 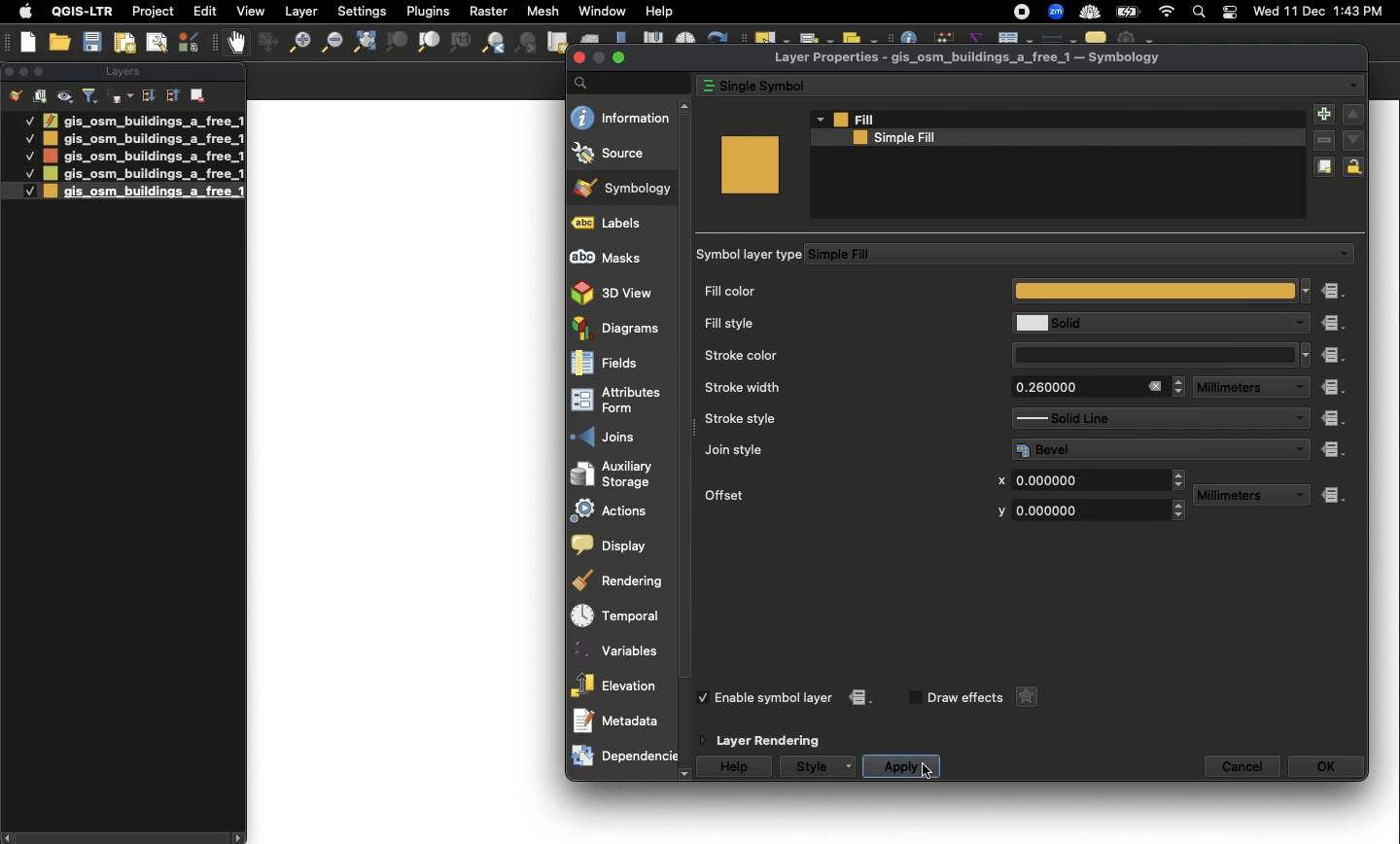 What do you see at coordinates (148, 96) in the screenshot?
I see `Sort descending` at bounding box center [148, 96].